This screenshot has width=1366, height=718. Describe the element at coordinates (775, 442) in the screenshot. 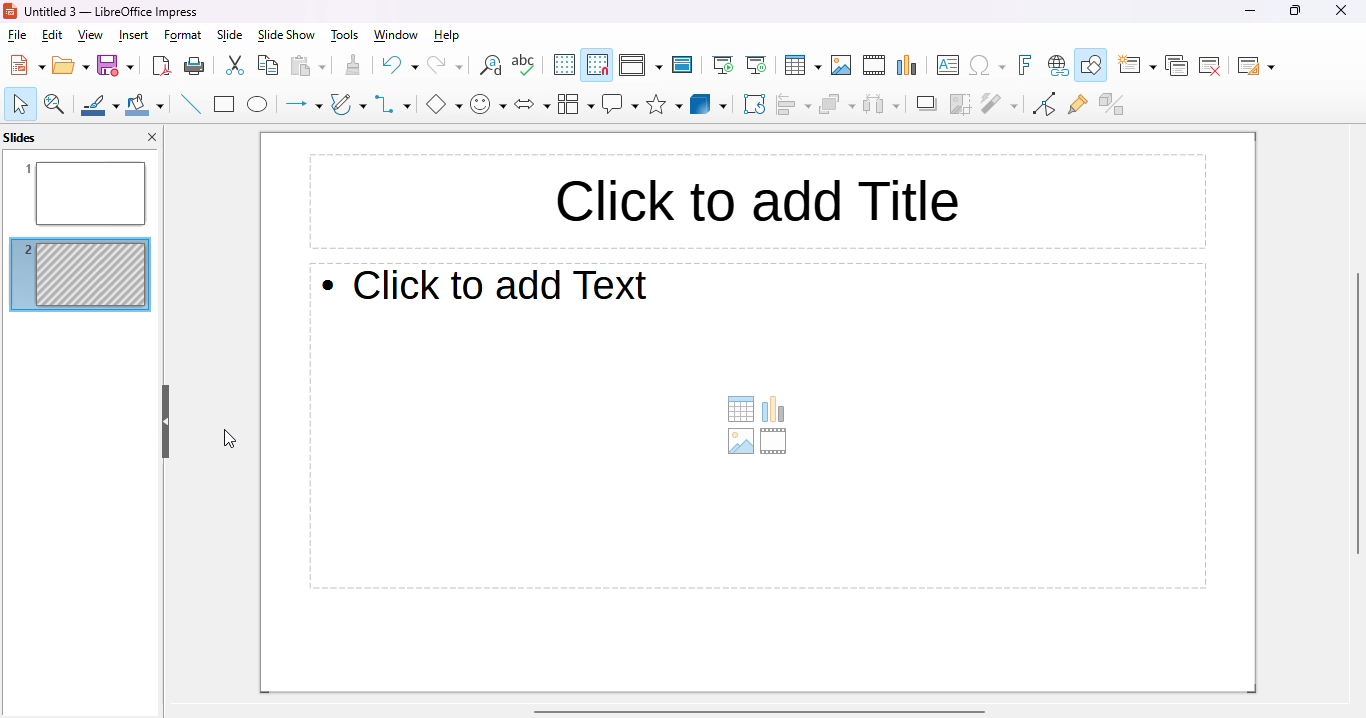

I see `insert audio or video` at that location.